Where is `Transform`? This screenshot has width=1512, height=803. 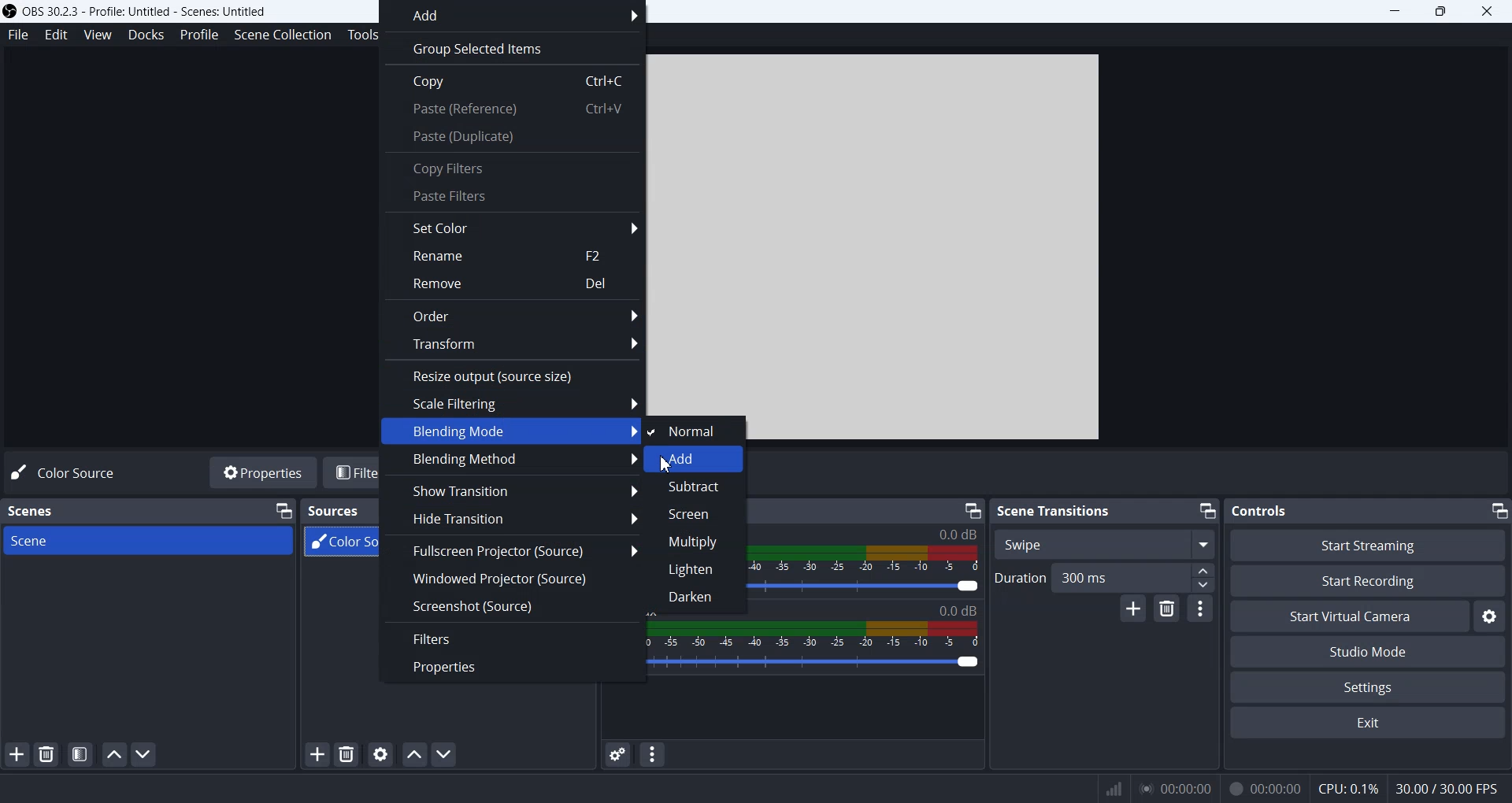 Transform is located at coordinates (512, 344).